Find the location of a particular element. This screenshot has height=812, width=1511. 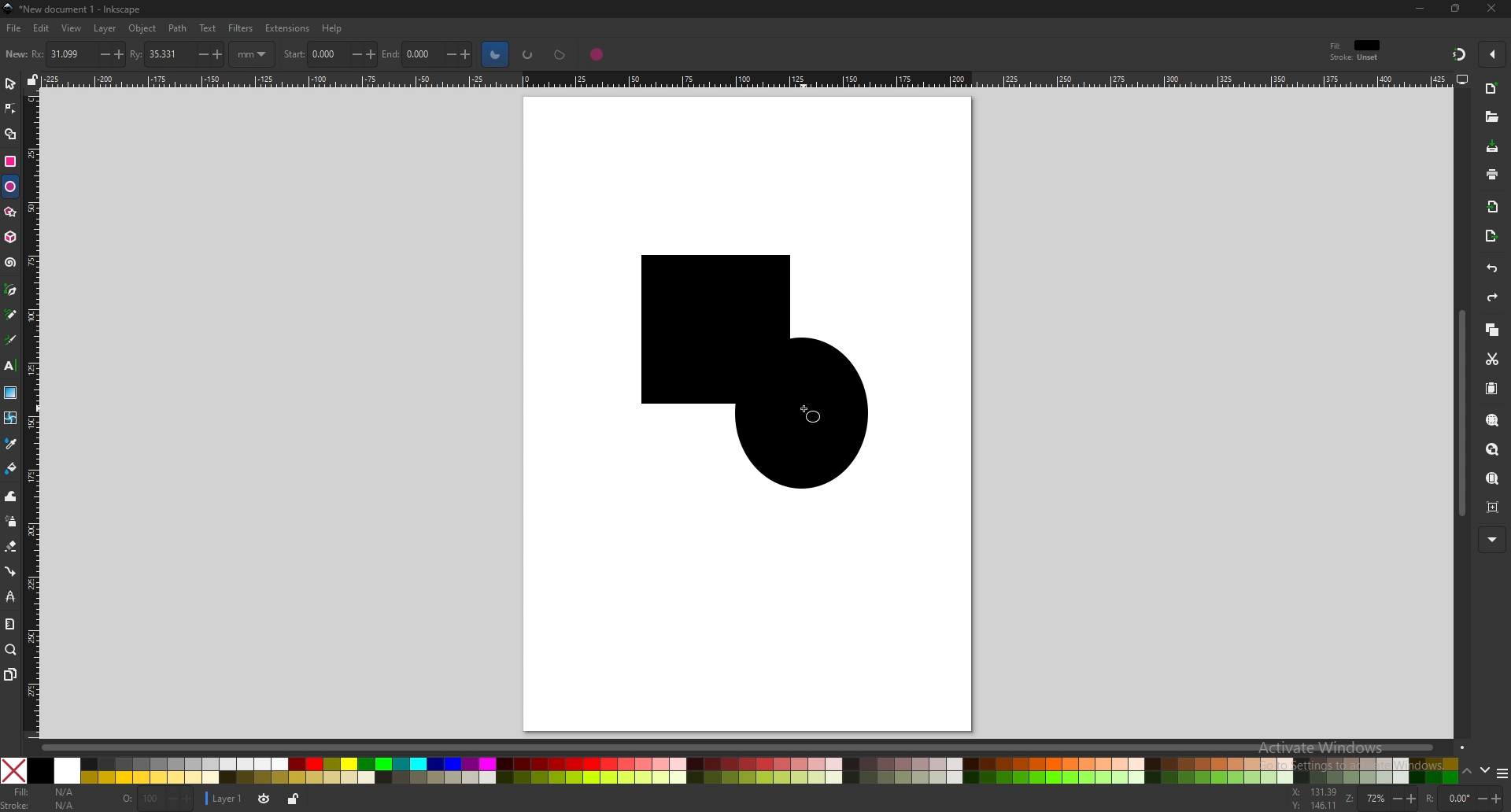

new is located at coordinates (15, 54).